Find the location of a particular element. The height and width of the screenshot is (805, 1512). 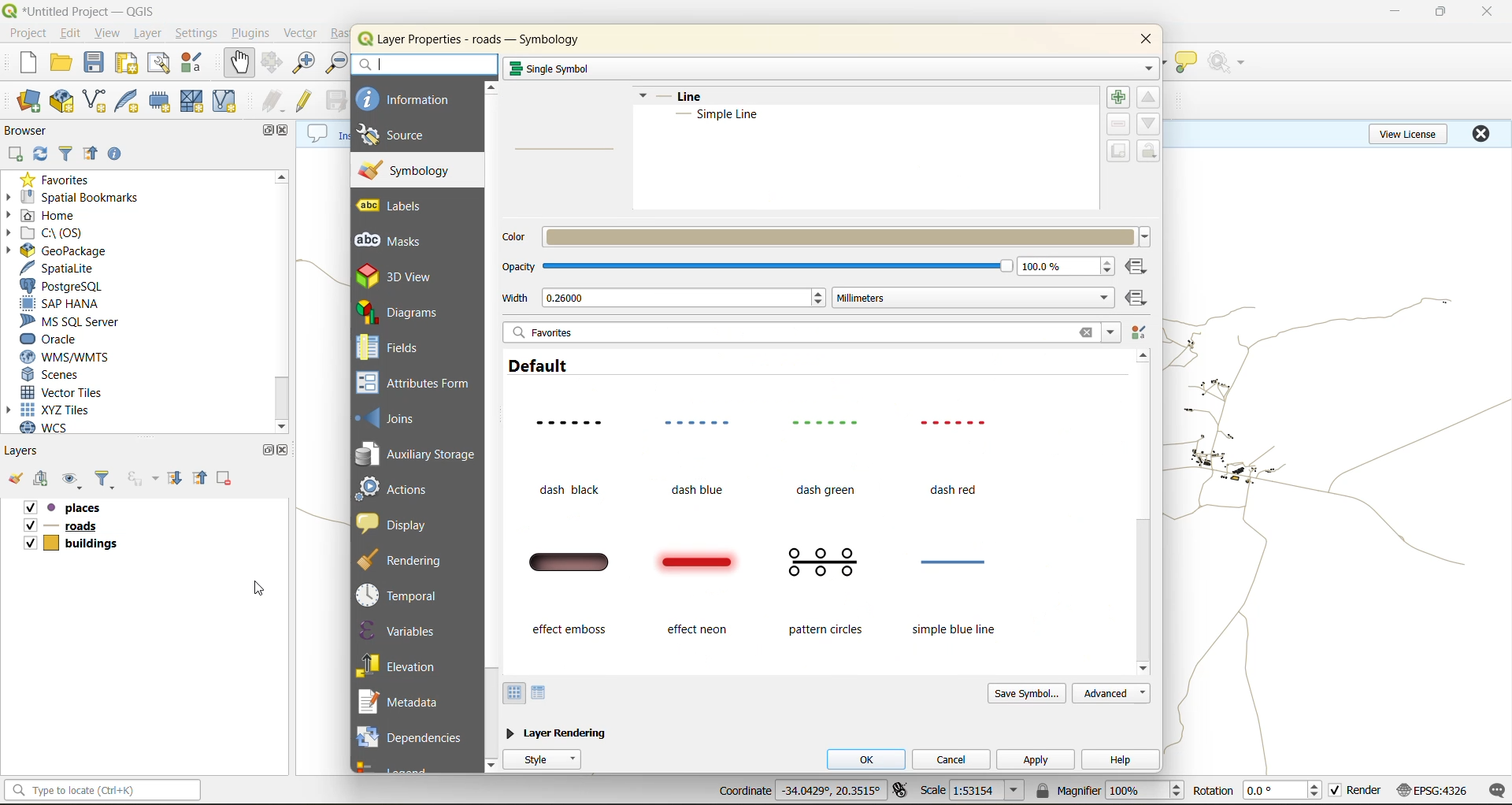

width is located at coordinates (667, 297).